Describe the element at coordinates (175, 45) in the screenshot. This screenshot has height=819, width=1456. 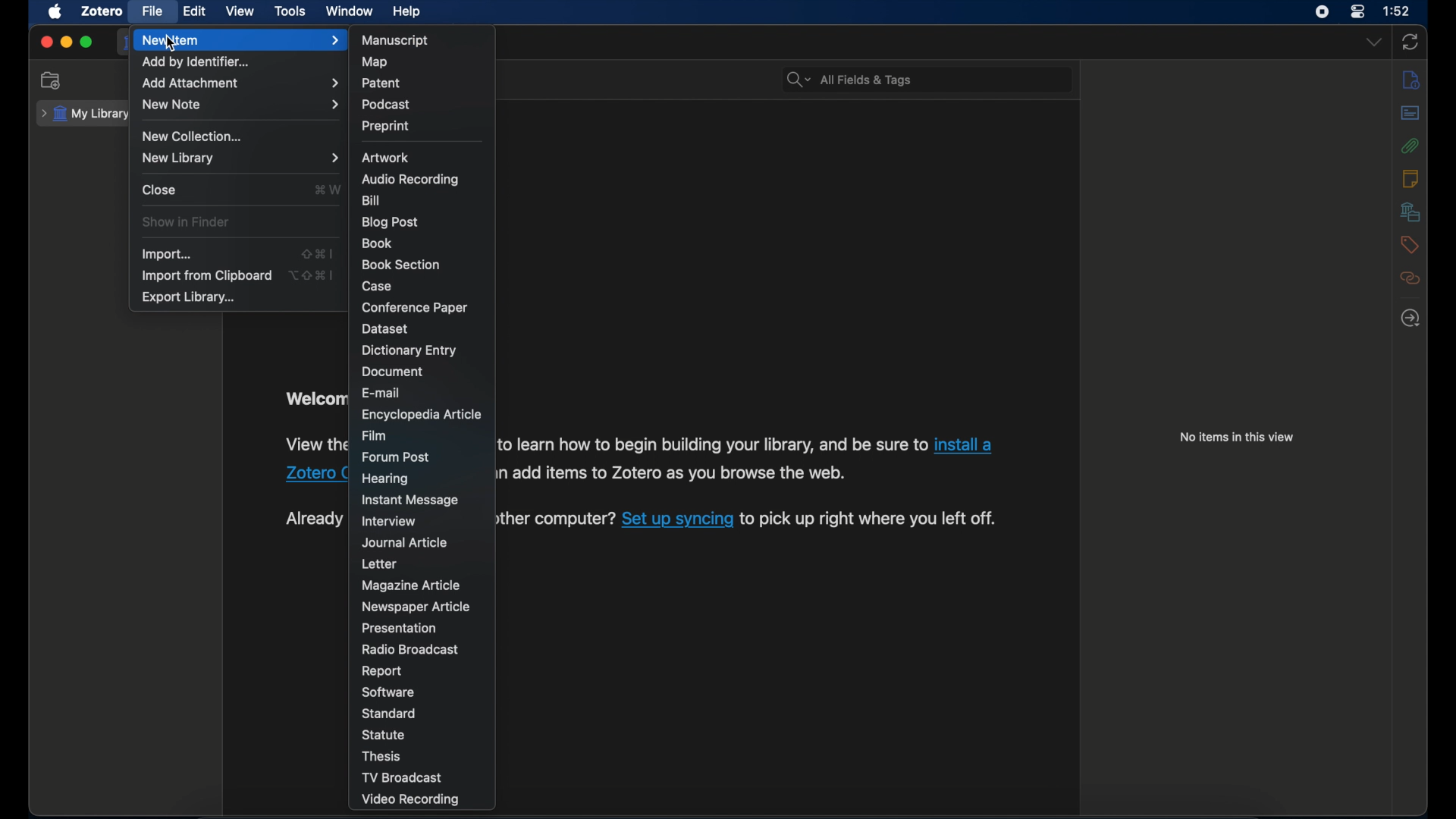
I see `cursor` at that location.